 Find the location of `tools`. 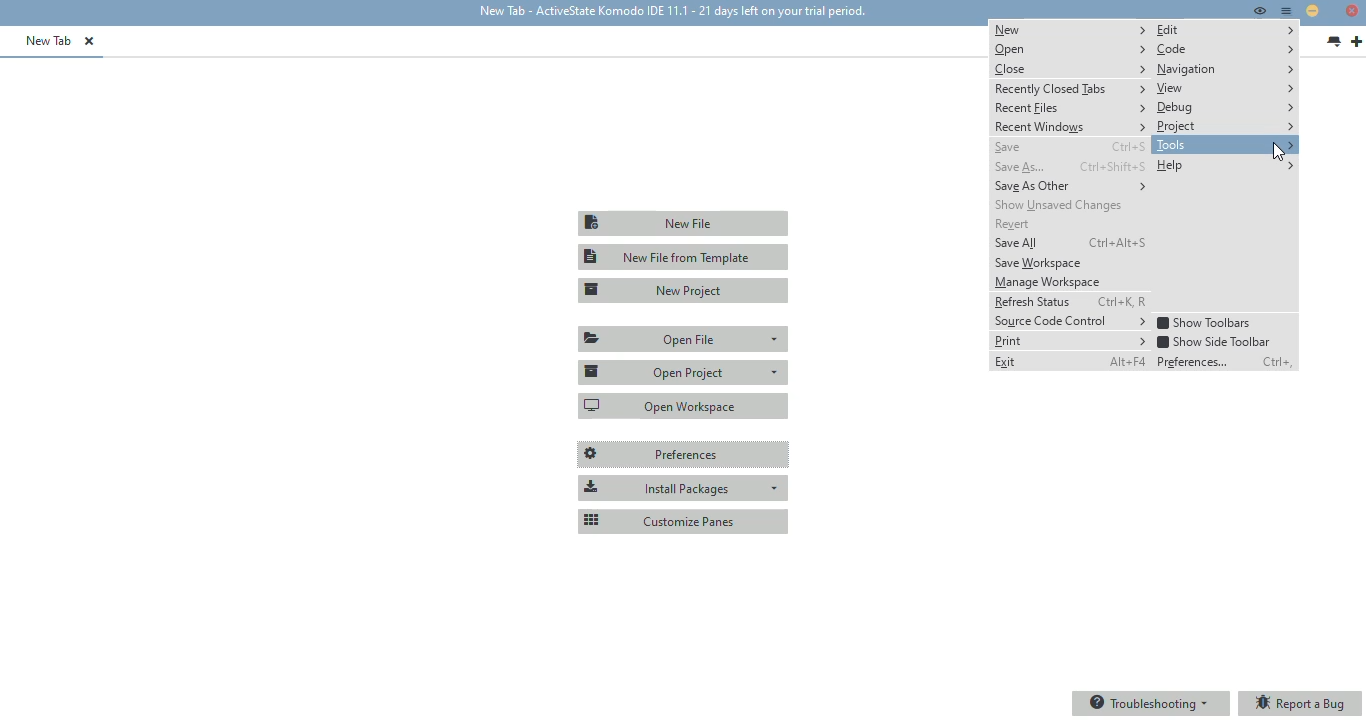

tools is located at coordinates (1225, 145).